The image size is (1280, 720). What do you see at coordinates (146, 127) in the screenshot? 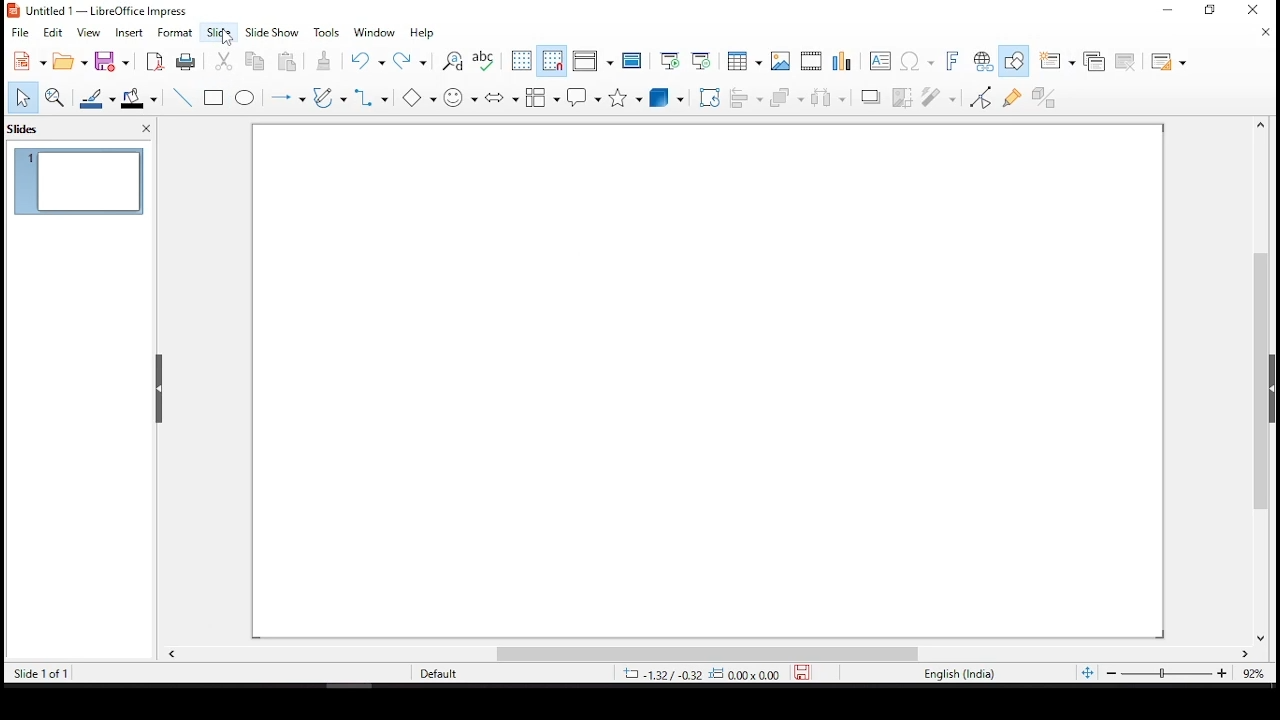
I see `close pane` at bounding box center [146, 127].